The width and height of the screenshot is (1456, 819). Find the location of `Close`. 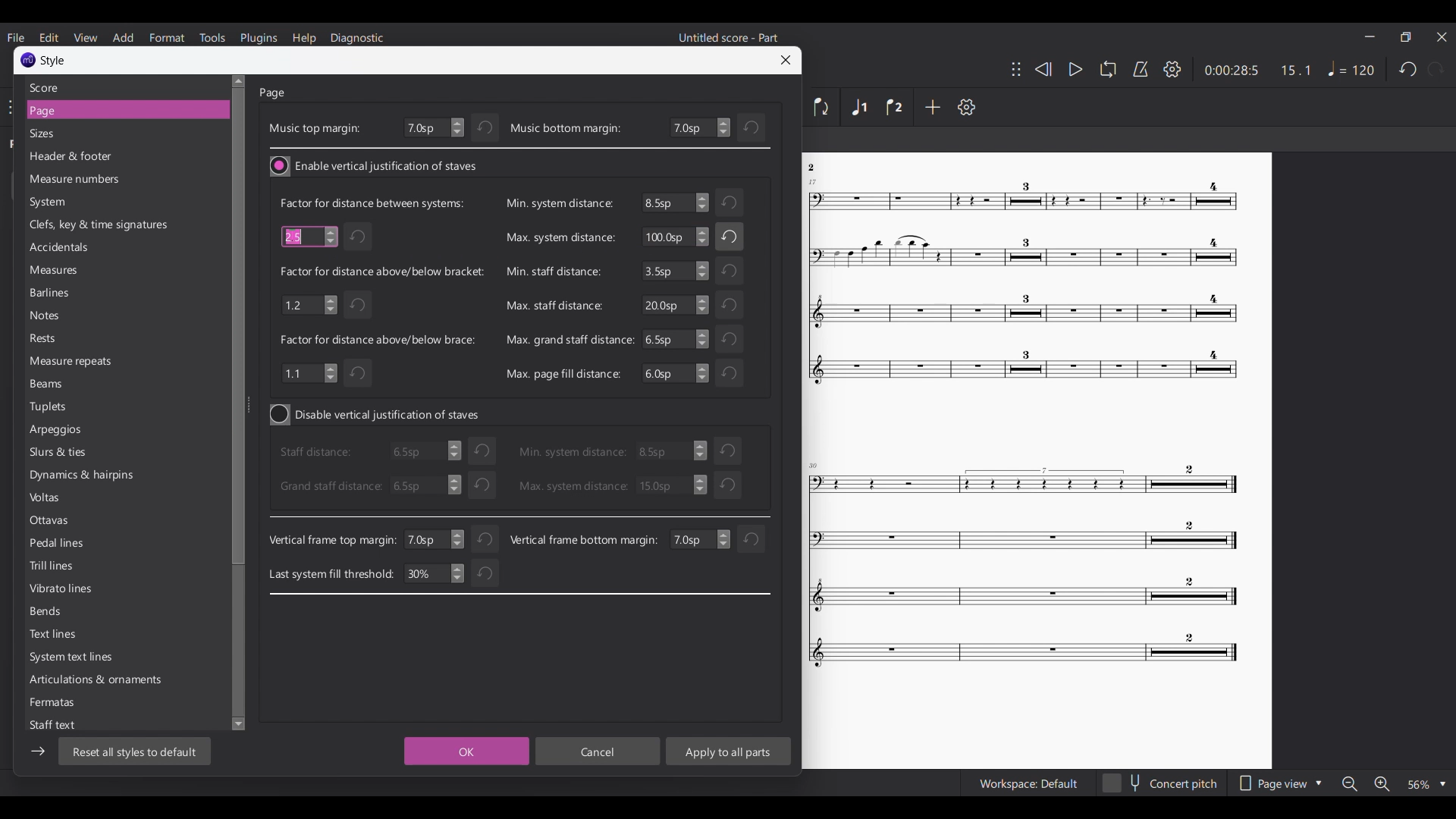

Close is located at coordinates (786, 60).